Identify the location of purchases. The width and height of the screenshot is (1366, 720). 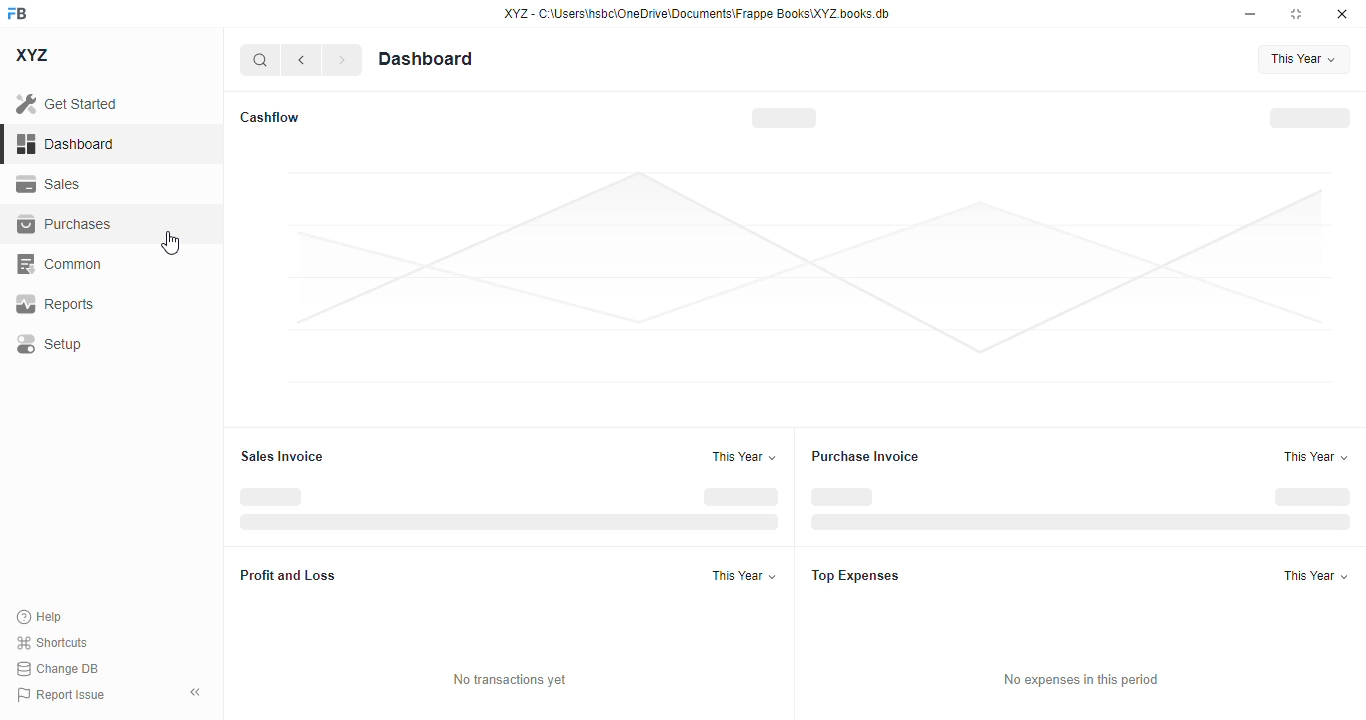
(64, 224).